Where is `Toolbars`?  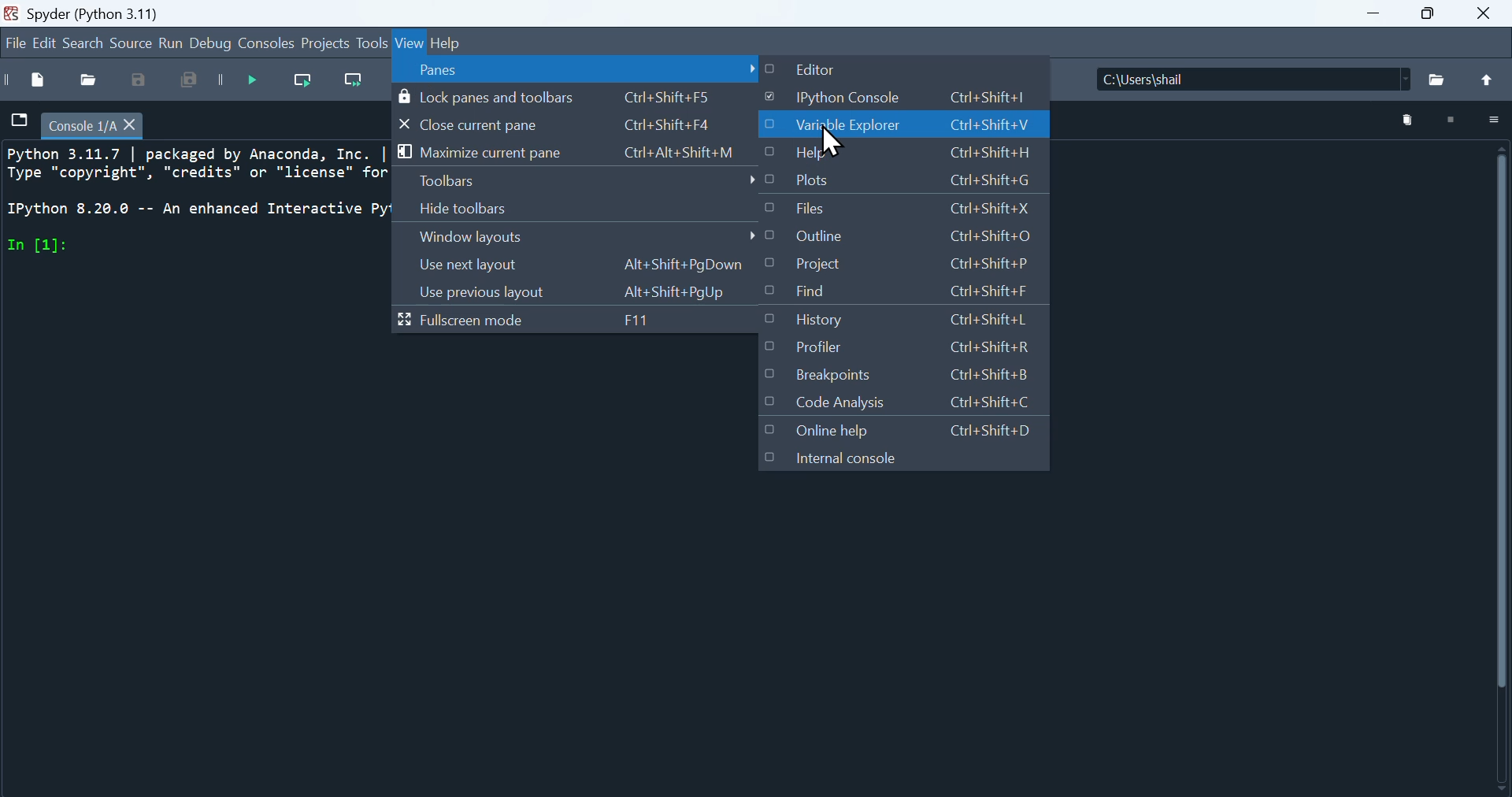 Toolbars is located at coordinates (465, 184).